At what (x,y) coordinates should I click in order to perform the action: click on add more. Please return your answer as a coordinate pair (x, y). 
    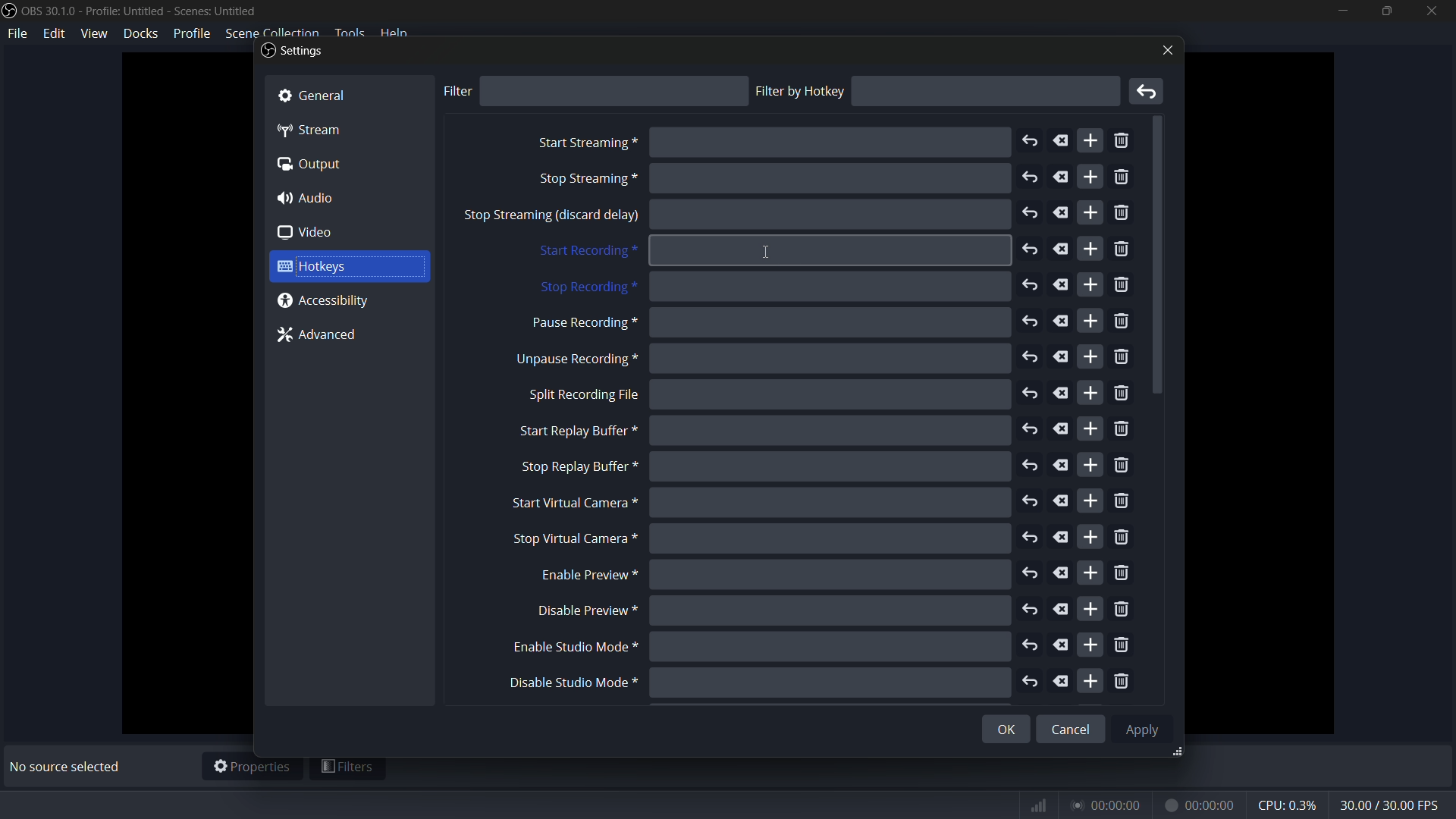
    Looking at the image, I should click on (1093, 500).